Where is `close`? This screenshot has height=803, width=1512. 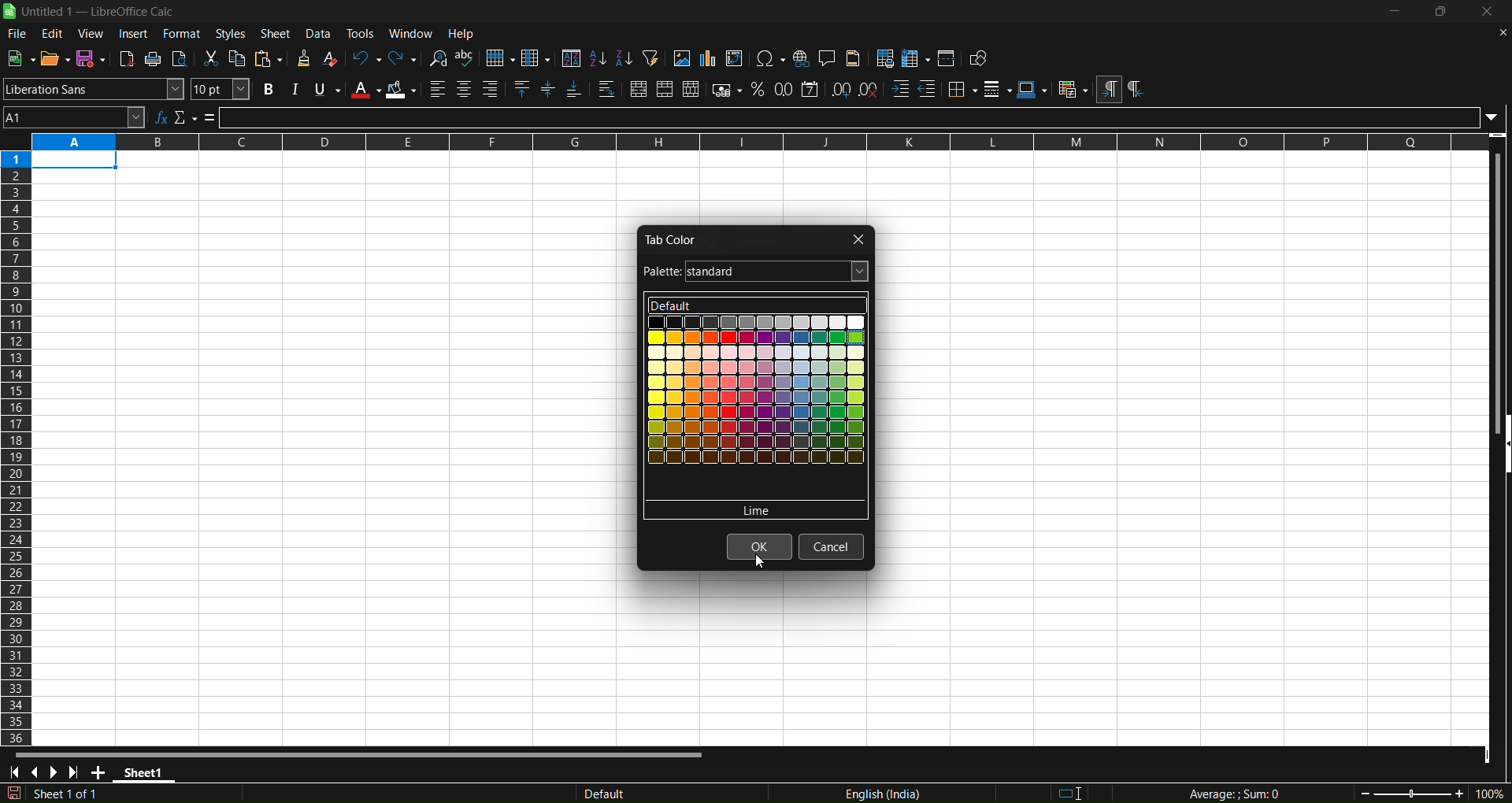 close is located at coordinates (1489, 13).